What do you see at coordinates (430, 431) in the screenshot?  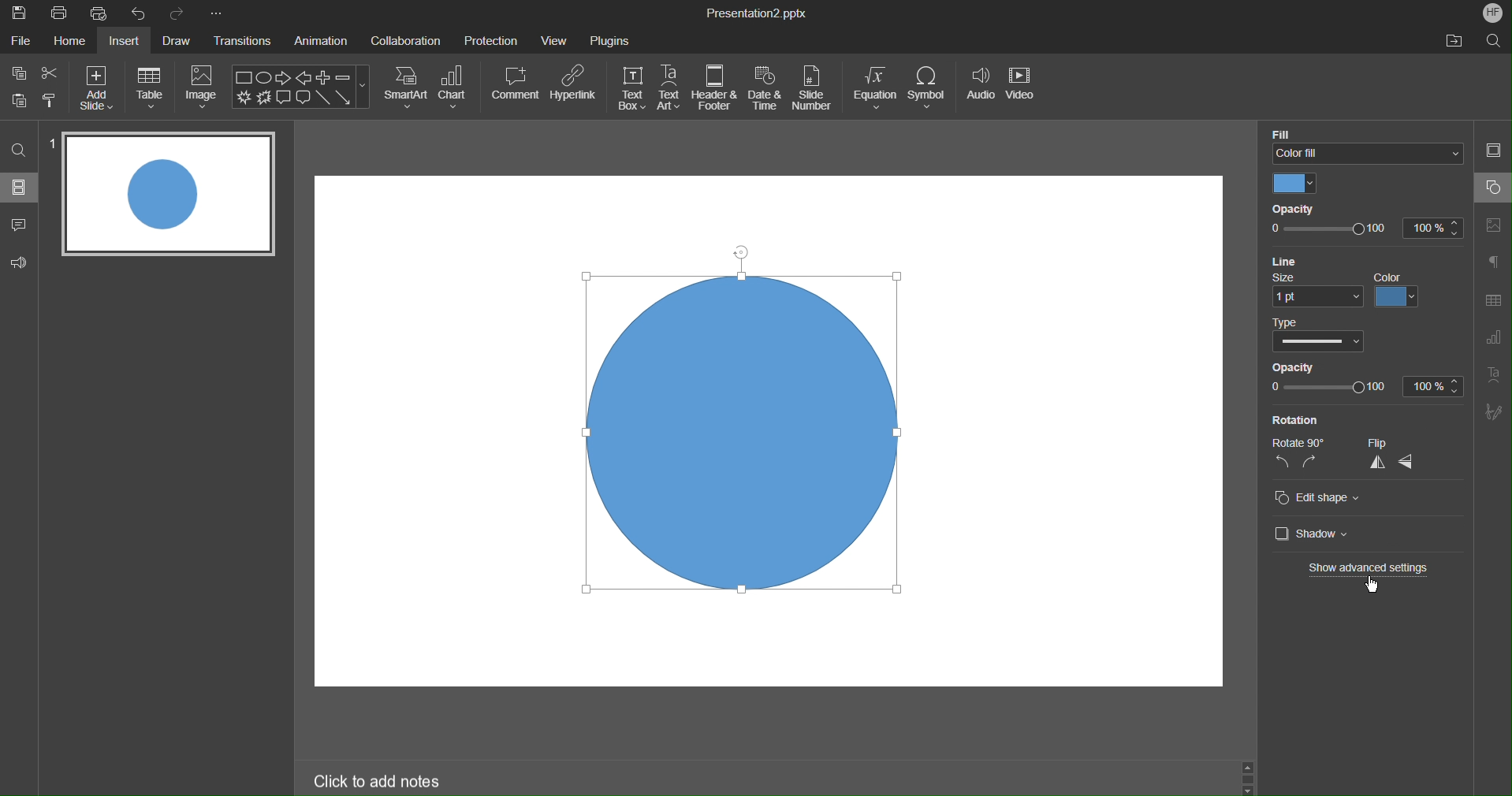 I see `workspace` at bounding box center [430, 431].